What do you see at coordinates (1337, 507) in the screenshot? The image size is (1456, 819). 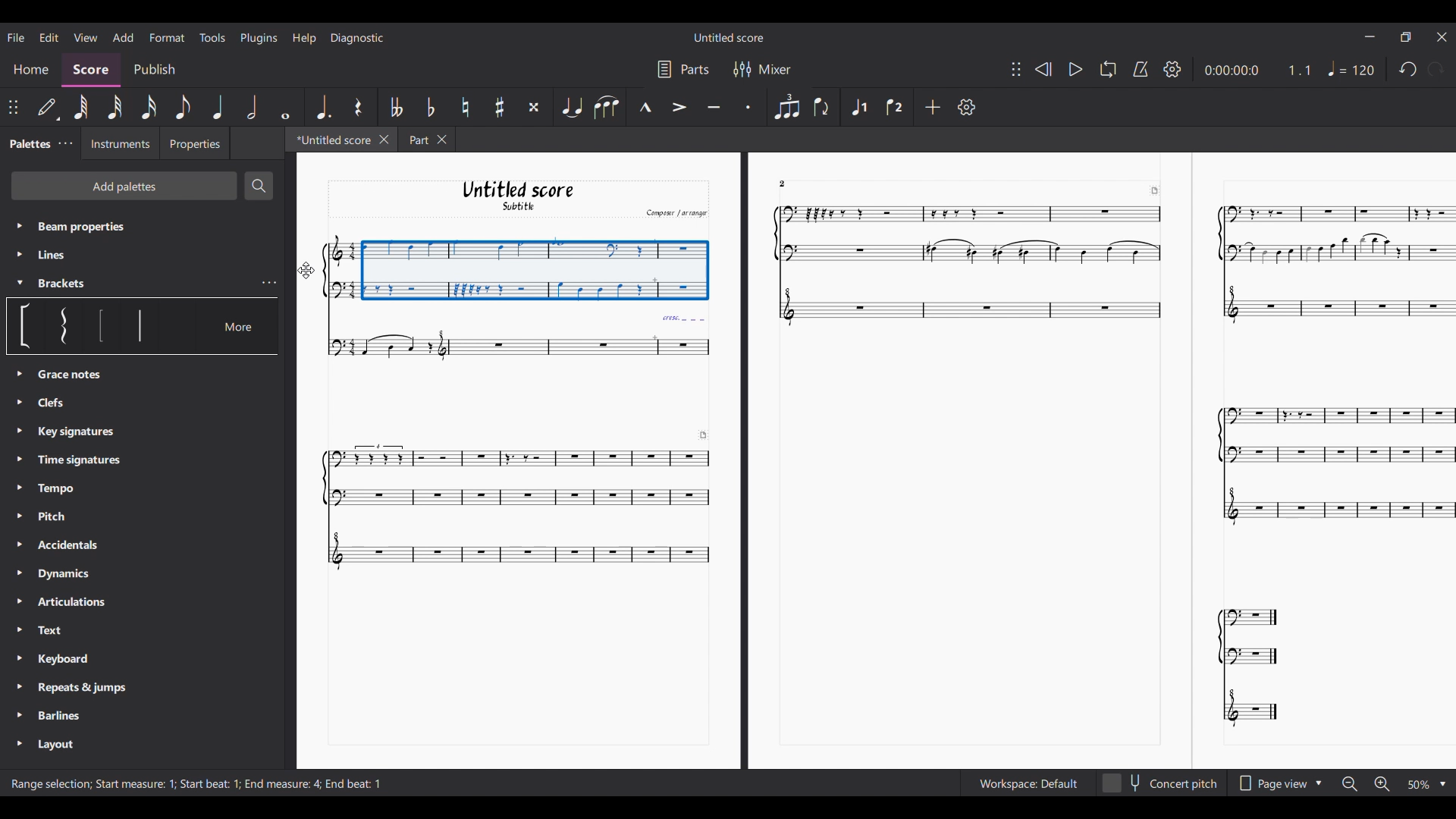 I see `` at bounding box center [1337, 507].